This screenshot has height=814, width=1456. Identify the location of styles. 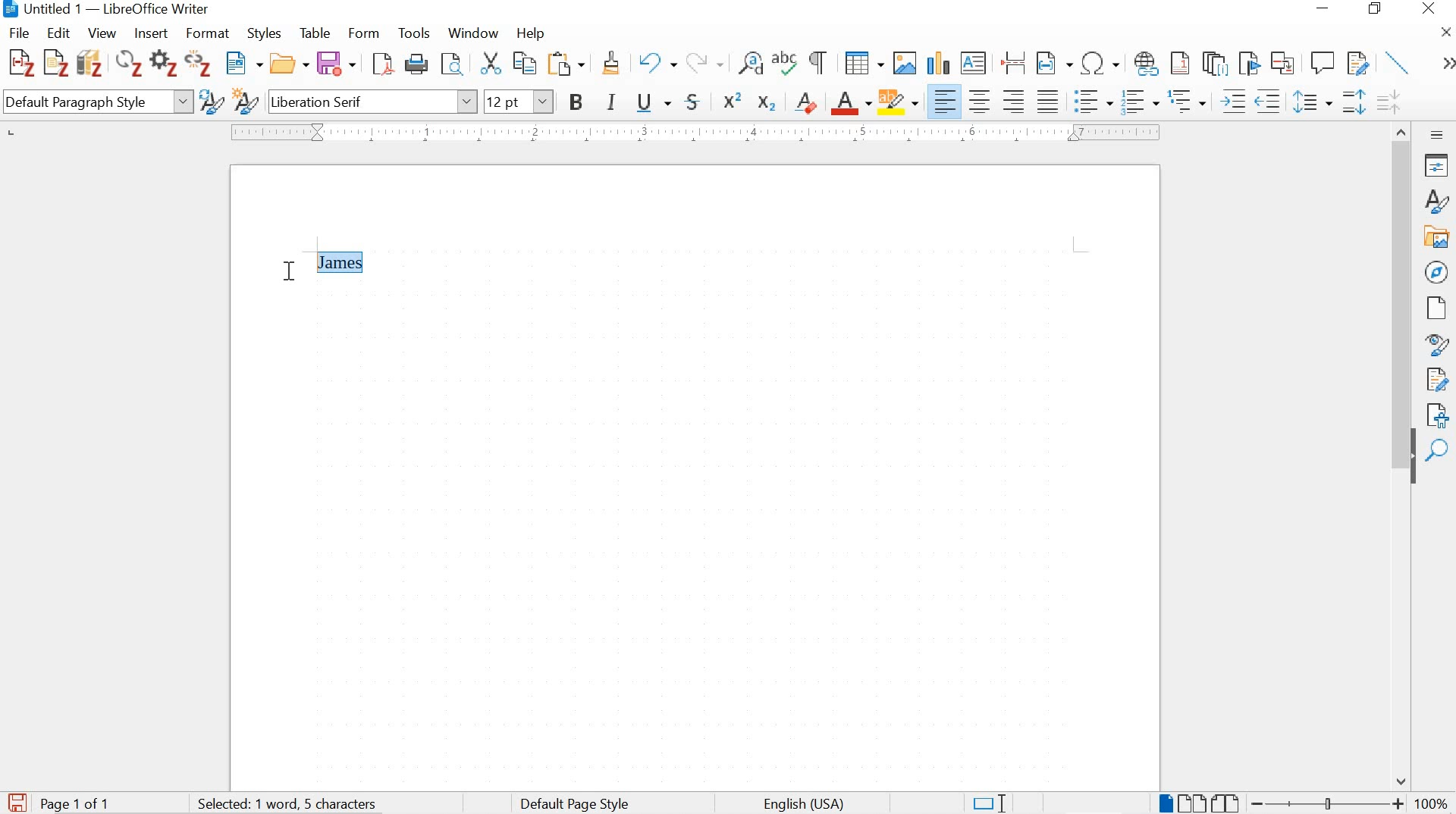
(1439, 201).